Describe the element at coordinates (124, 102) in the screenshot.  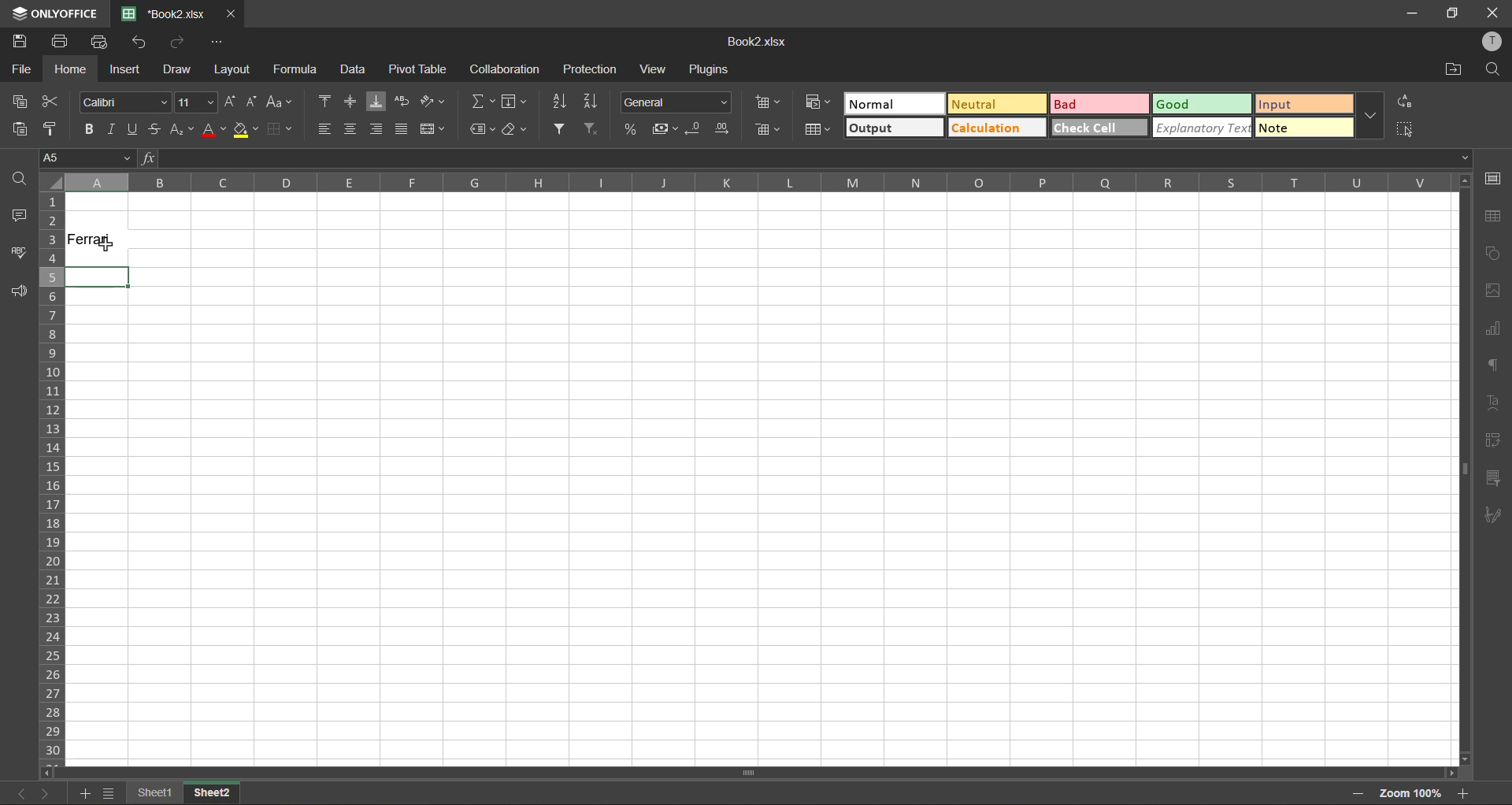
I see `font style` at that location.